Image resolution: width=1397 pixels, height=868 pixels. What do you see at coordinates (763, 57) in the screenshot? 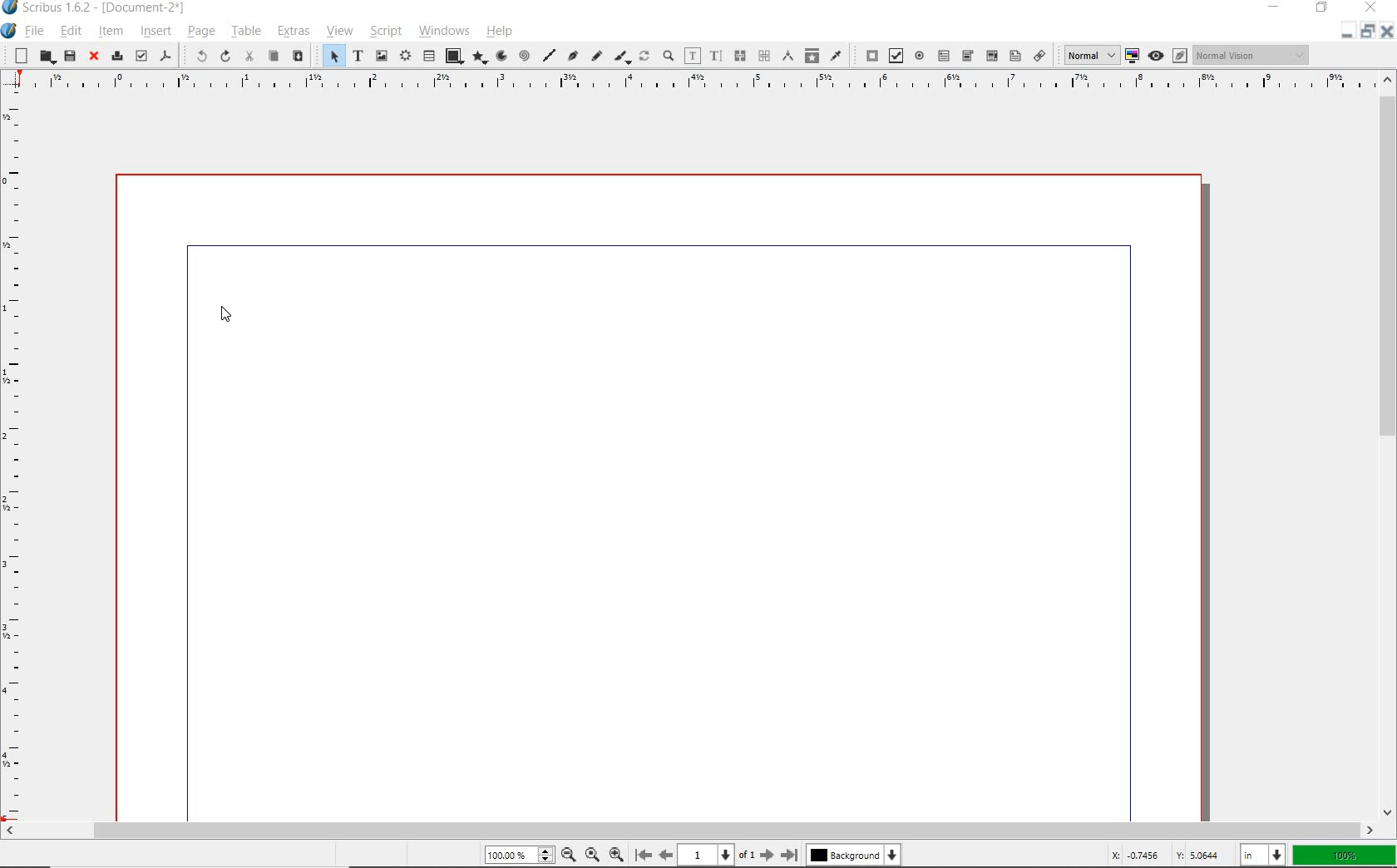
I see `measurements` at bounding box center [763, 57].